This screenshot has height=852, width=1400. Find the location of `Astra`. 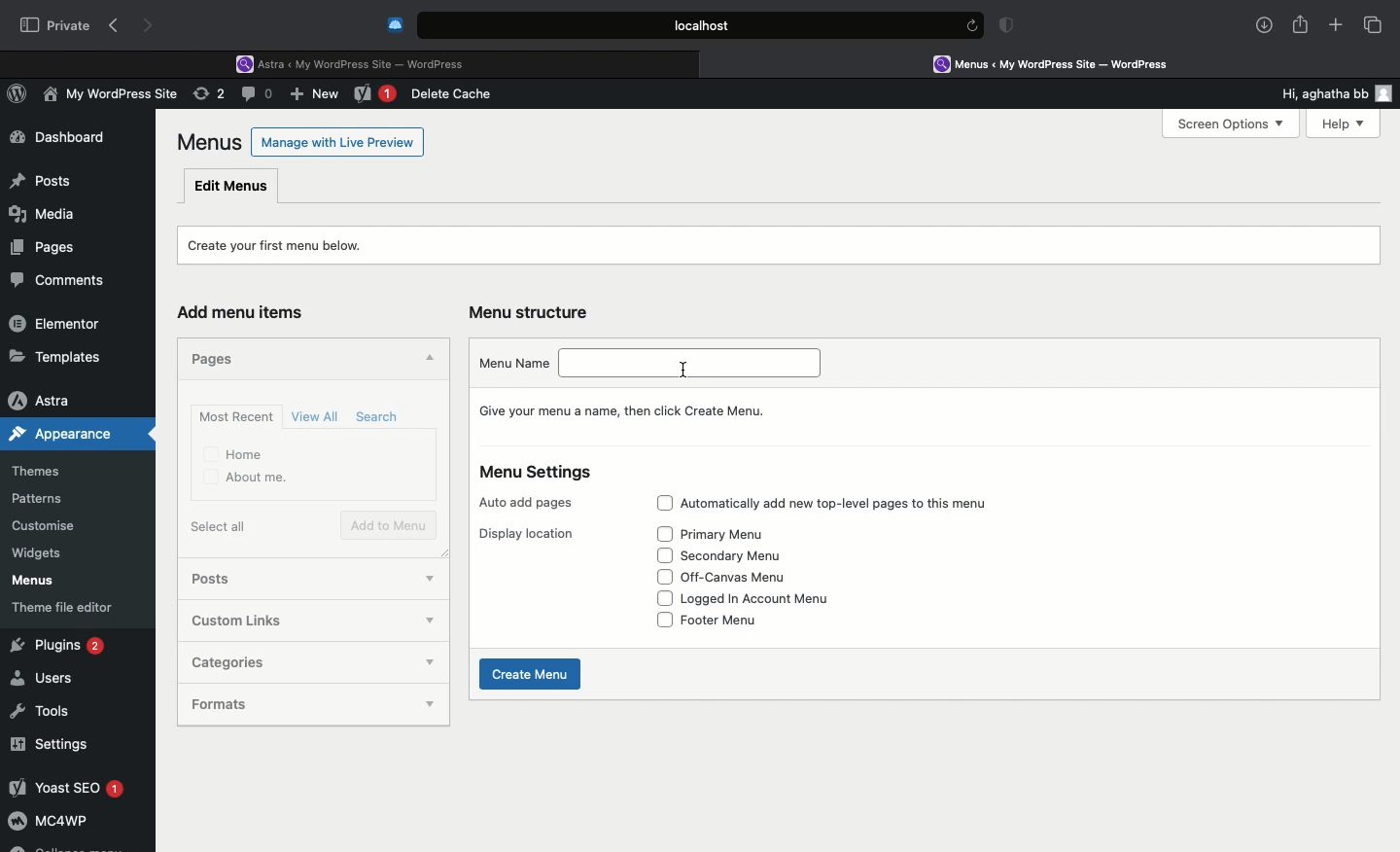

Astra is located at coordinates (57, 400).